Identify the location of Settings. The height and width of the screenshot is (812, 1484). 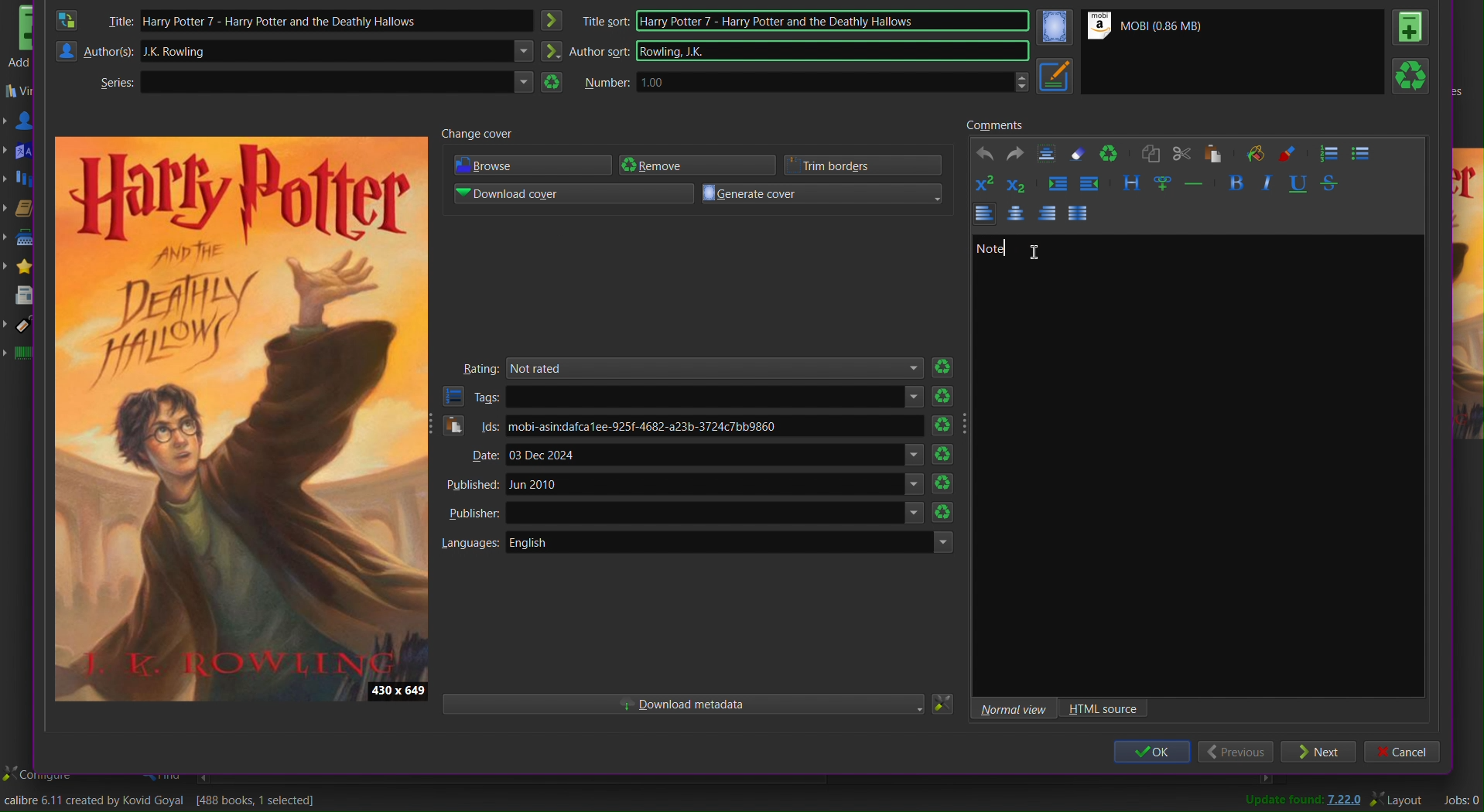
(942, 704).